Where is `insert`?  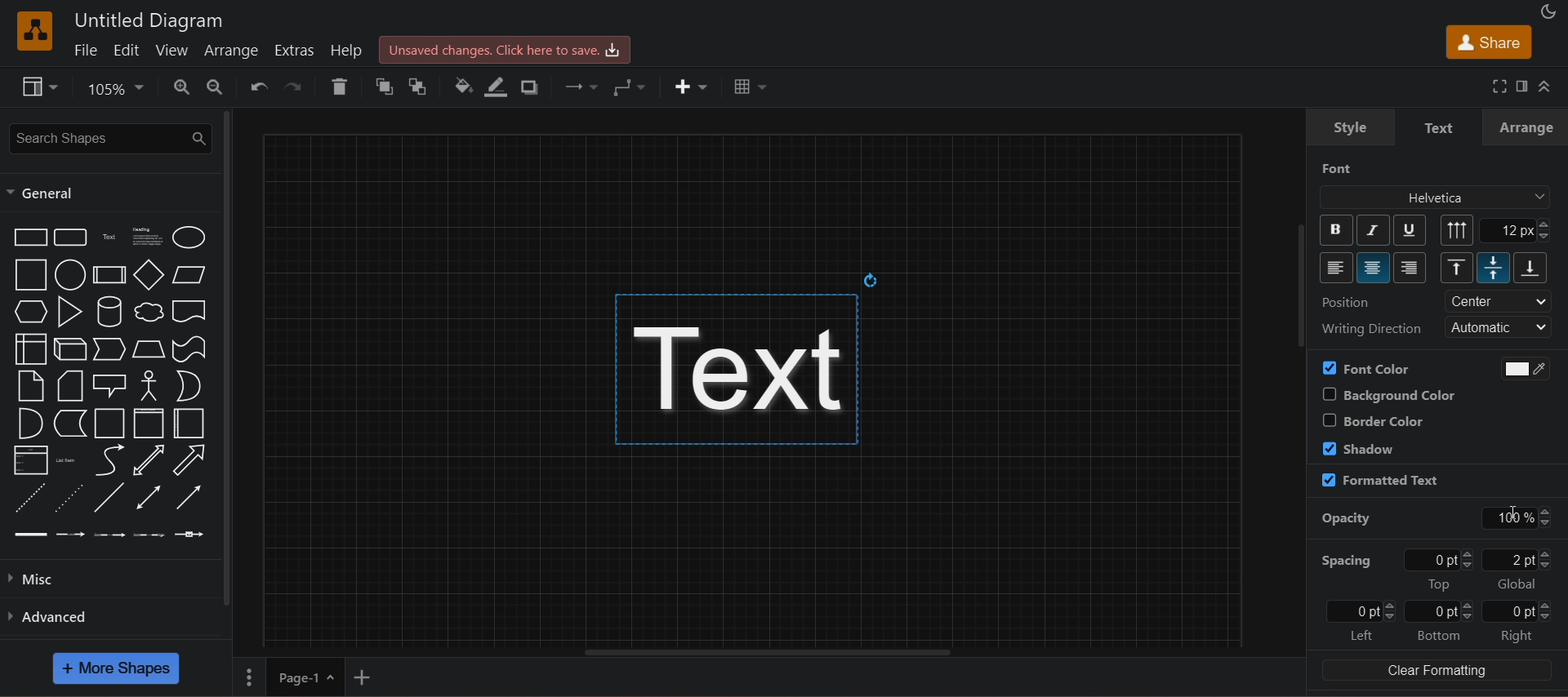 insert is located at coordinates (691, 87).